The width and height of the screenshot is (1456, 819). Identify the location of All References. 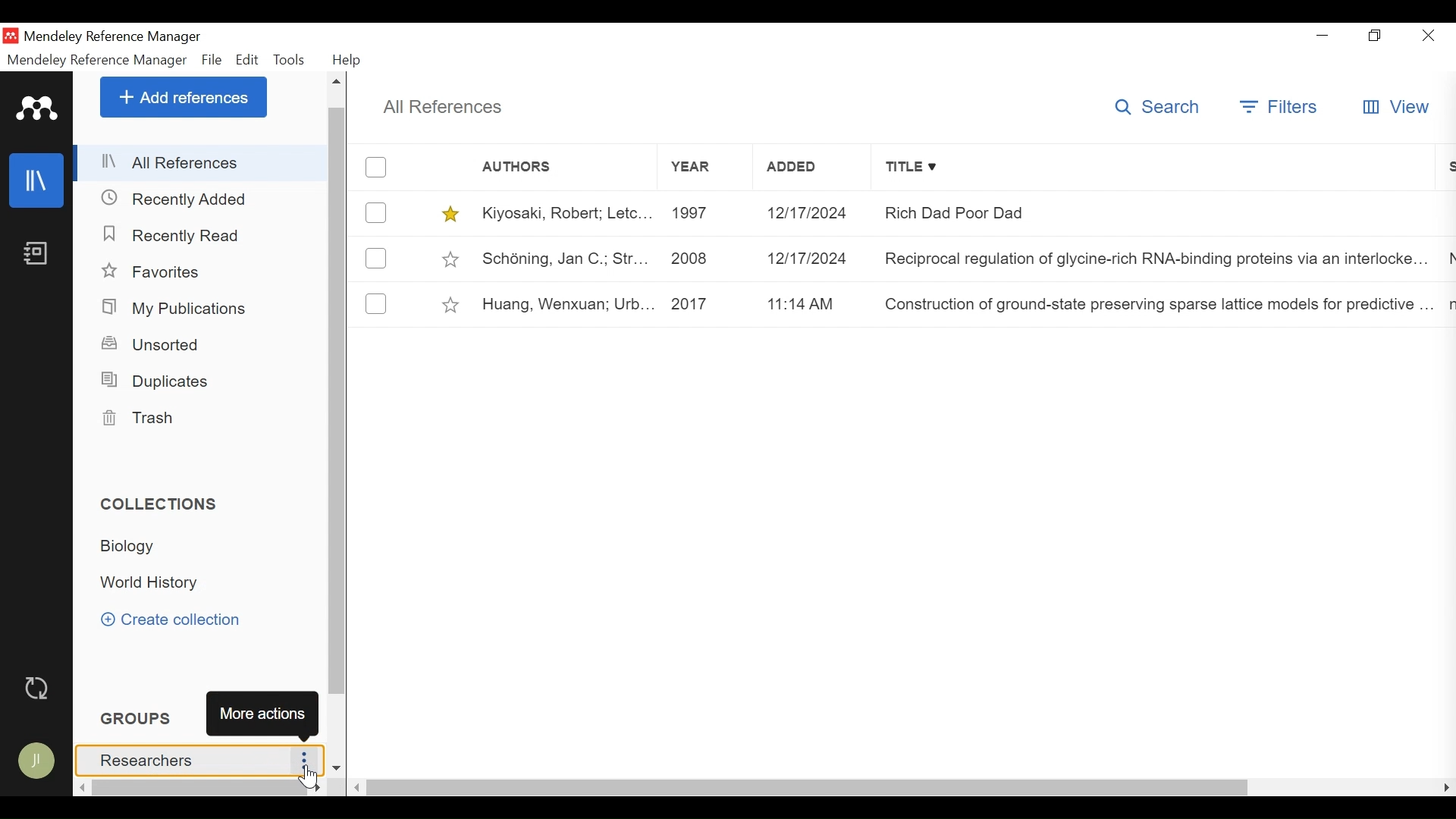
(202, 162).